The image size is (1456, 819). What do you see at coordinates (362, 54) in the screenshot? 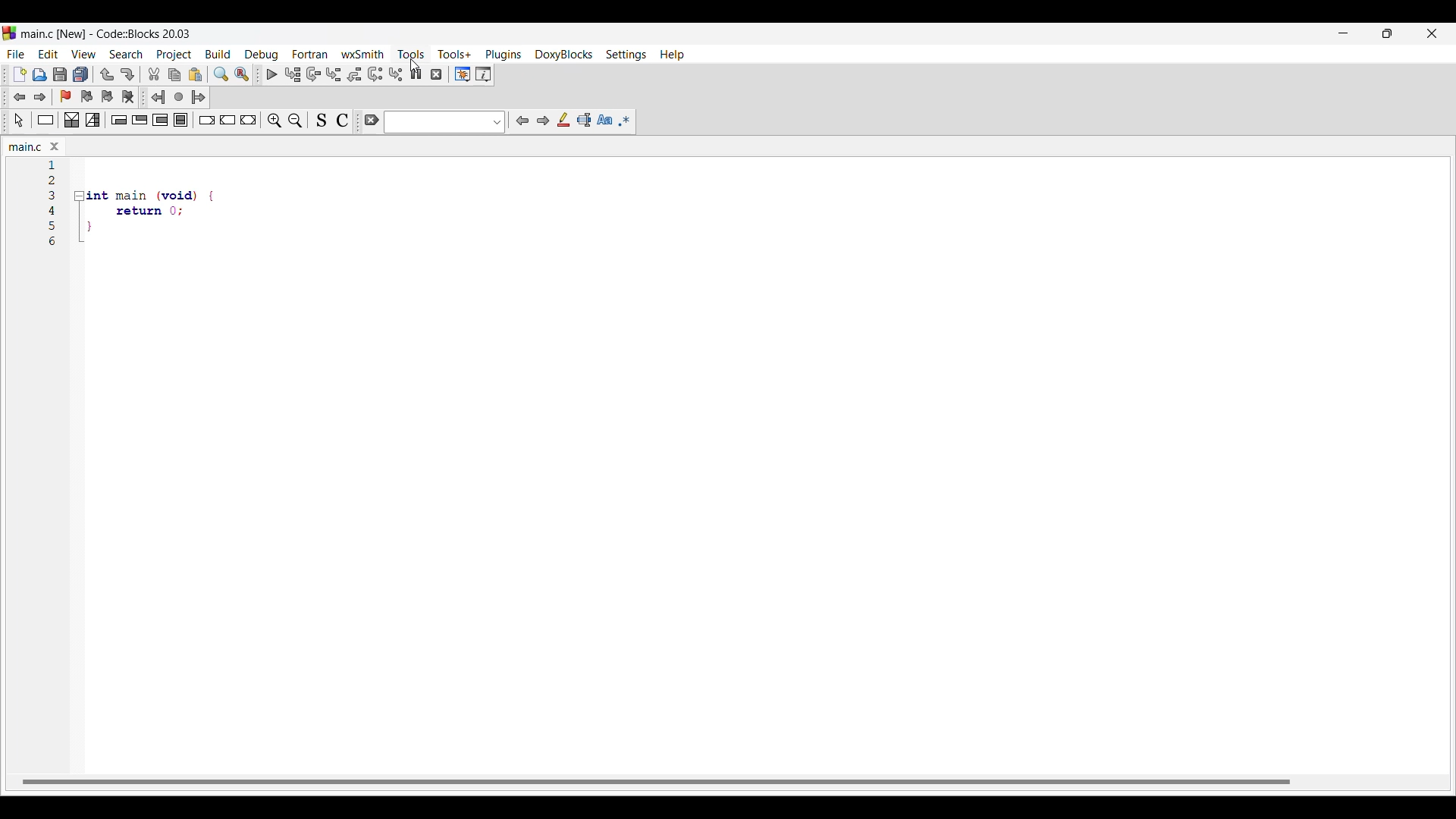
I see `wxSmith menu` at bounding box center [362, 54].